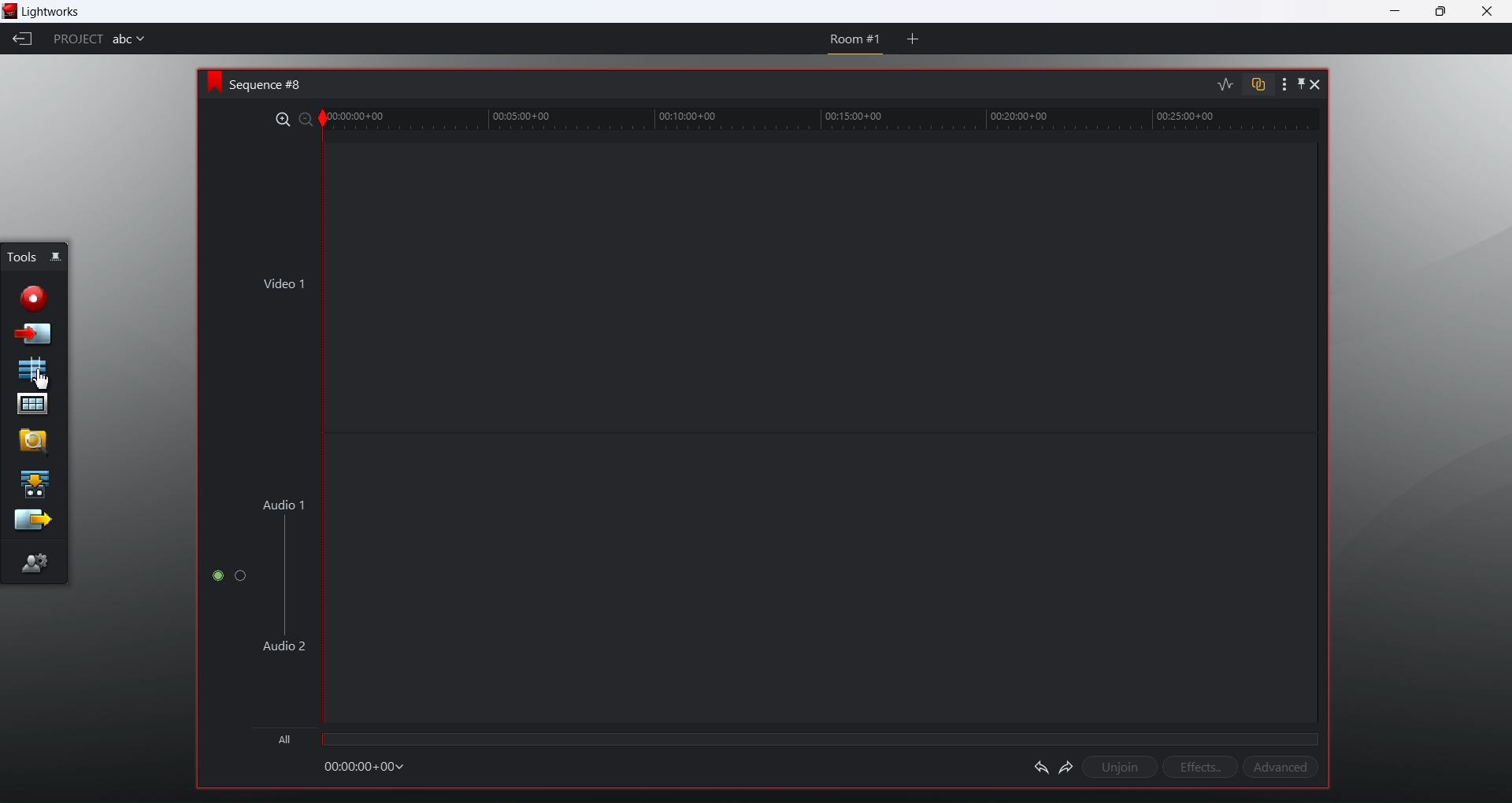  Describe the element at coordinates (31, 521) in the screenshot. I see `export` at that location.